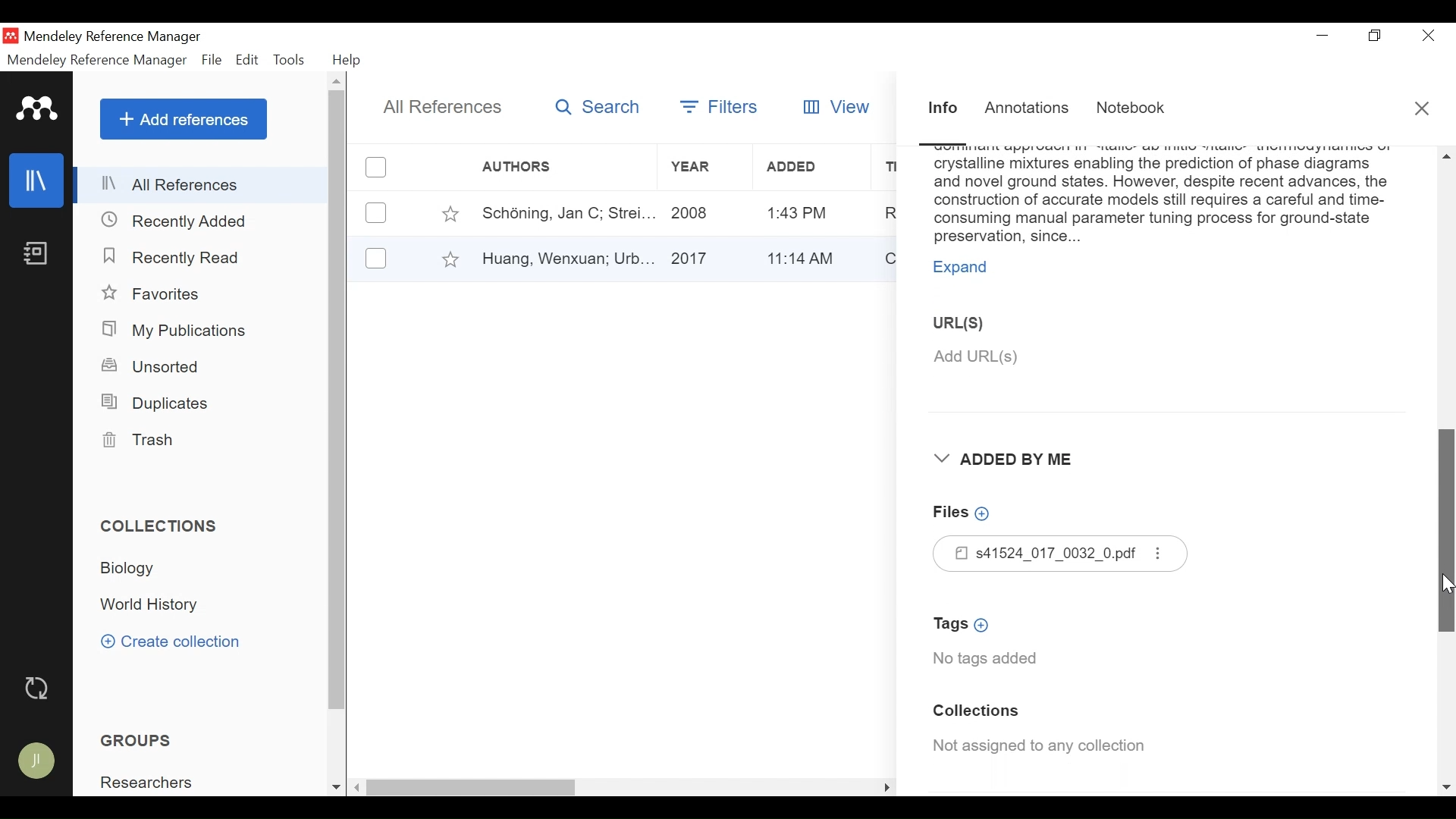 Image resolution: width=1456 pixels, height=819 pixels. Describe the element at coordinates (1430, 35) in the screenshot. I see `Close` at that location.